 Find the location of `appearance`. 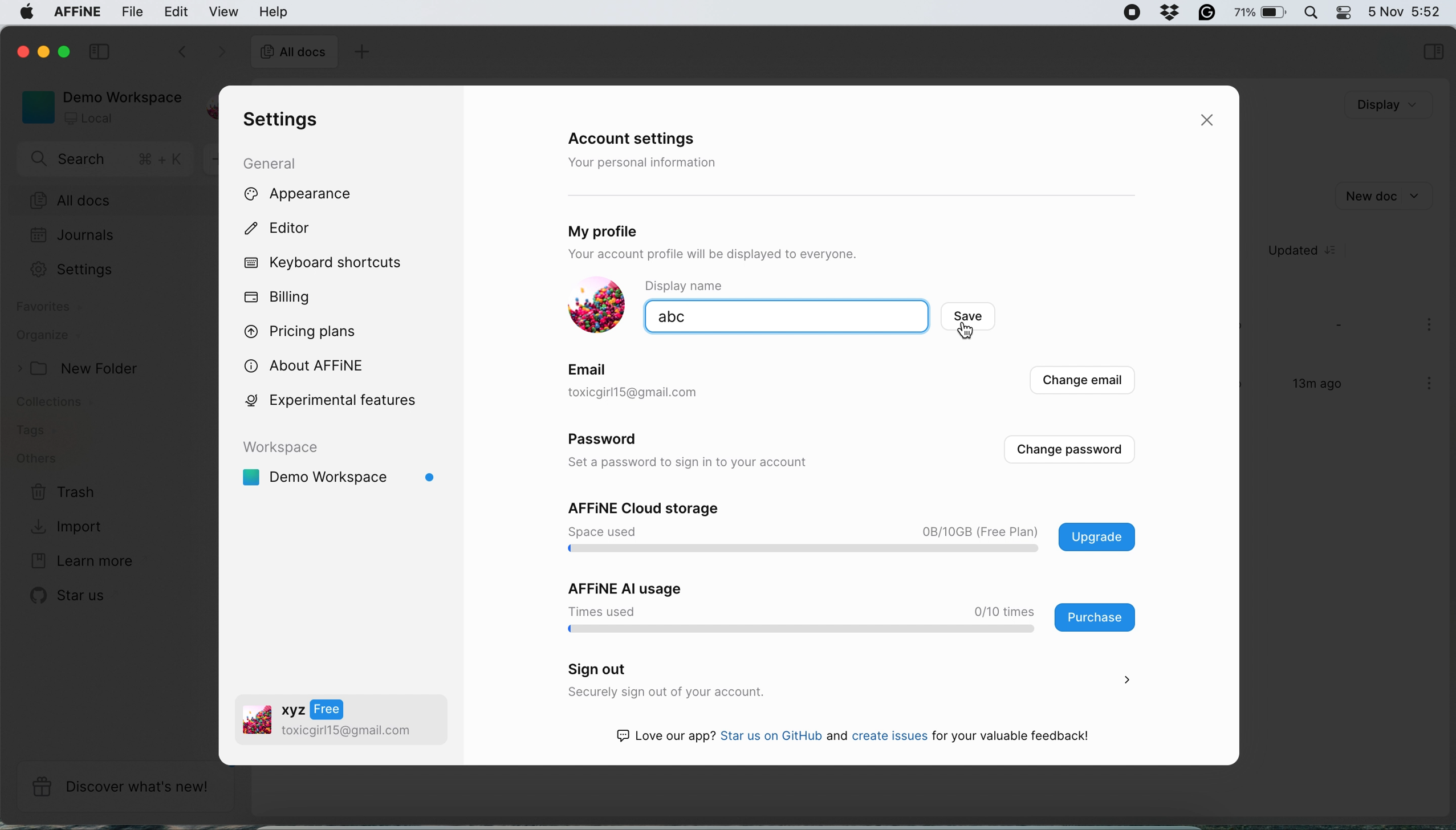

appearance is located at coordinates (317, 195).